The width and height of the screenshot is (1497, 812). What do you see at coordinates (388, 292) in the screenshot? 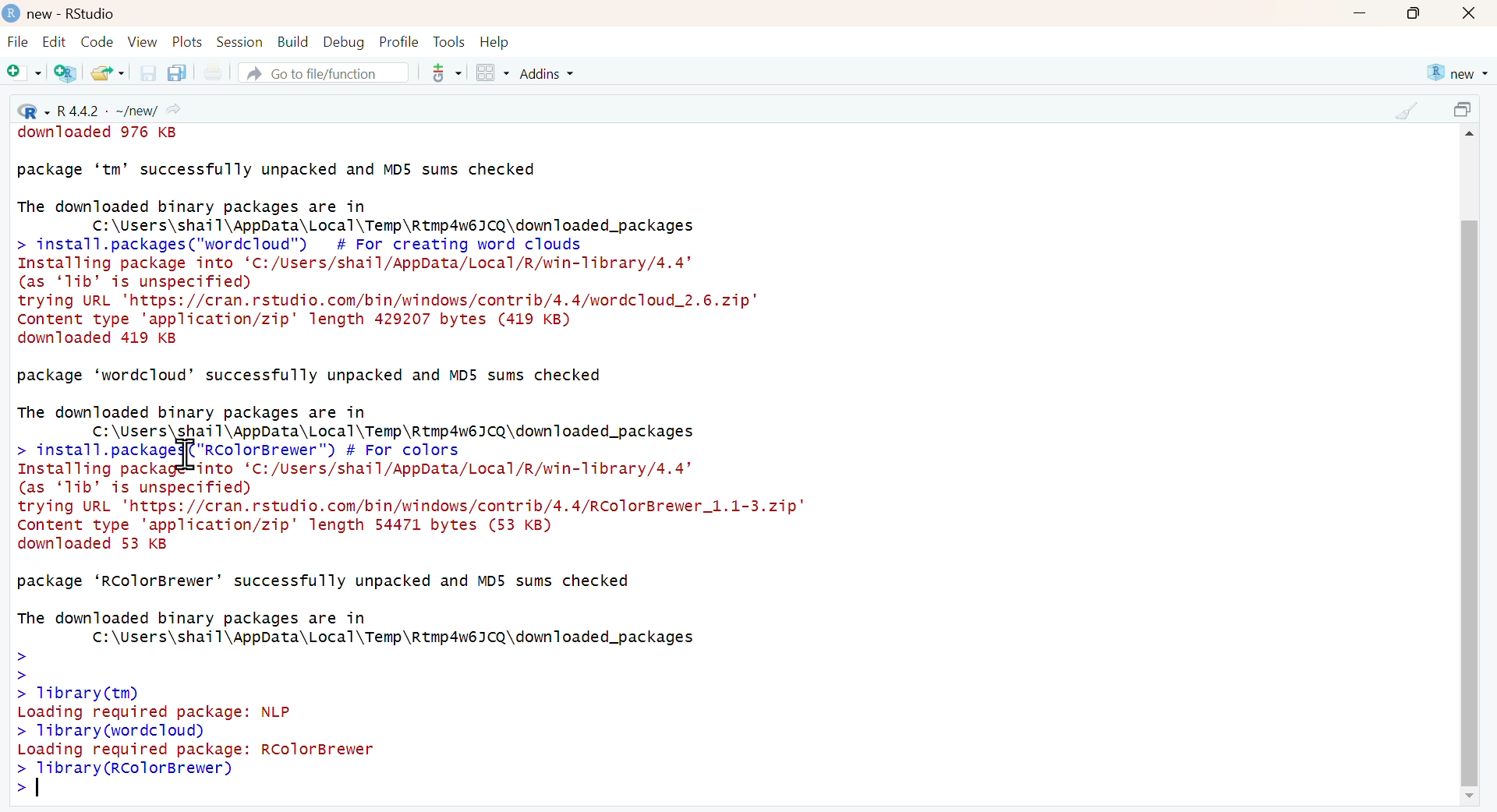
I see `> install.packages("wordcloud”) # For creating word clouds

Installing package into ‘C:/Users/shail/AppData/Local/R/win-Tibrary/4.4’

(as ‘1ib’ is unspecified)

trying URL 'https://cran.rstudio.com/bin/windows/contrib/4.4/wordcloud_2.6.zip"
Content type 'application/zip' length 429207 bytes (419 KB)

downloaded 419 KB` at bounding box center [388, 292].